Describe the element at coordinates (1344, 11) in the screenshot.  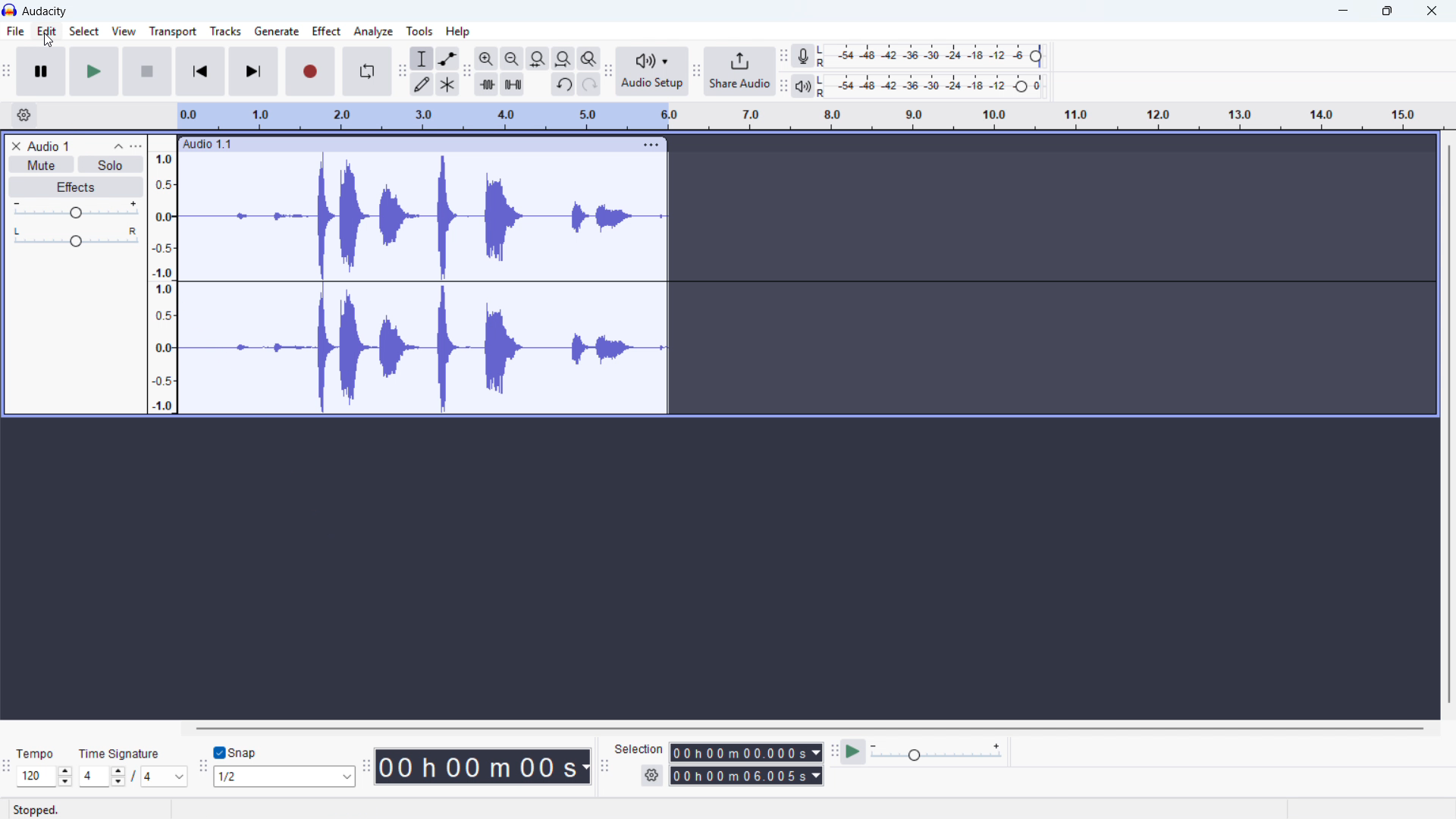
I see `minimize` at that location.